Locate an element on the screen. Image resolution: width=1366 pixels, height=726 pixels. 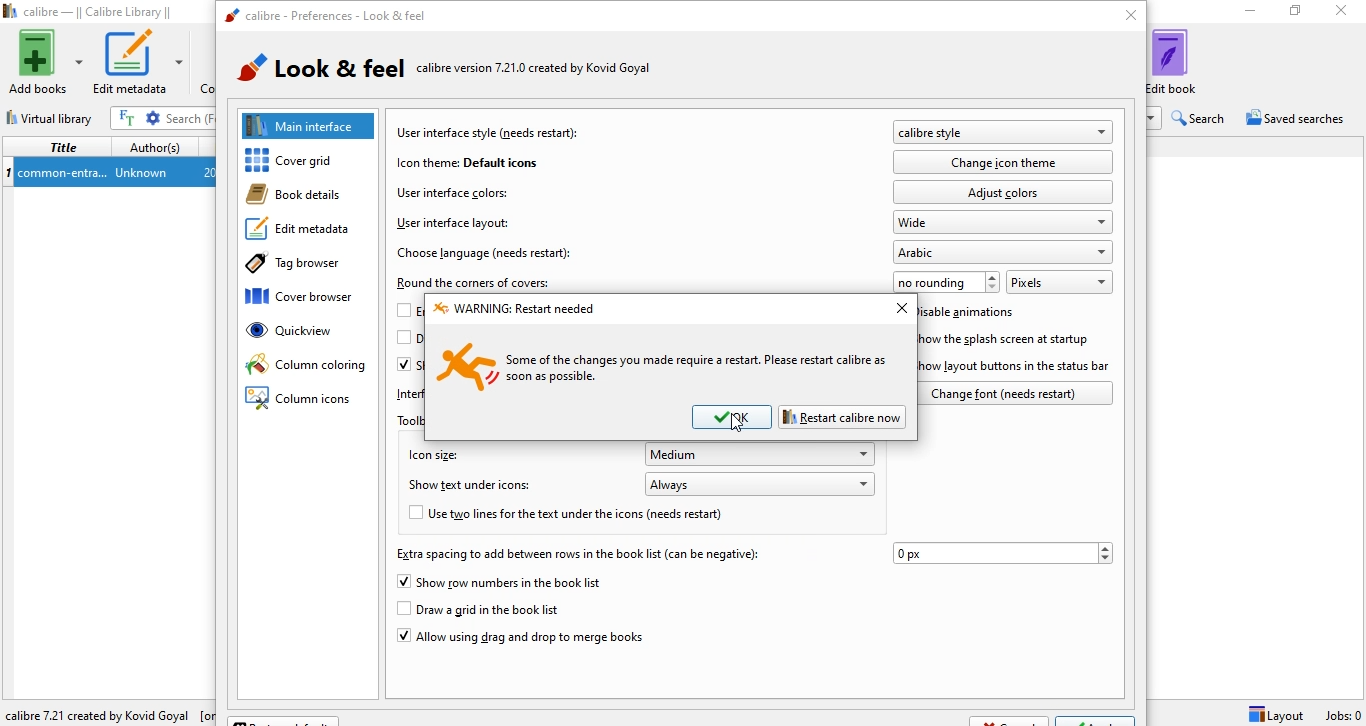
toolbar is located at coordinates (408, 420).